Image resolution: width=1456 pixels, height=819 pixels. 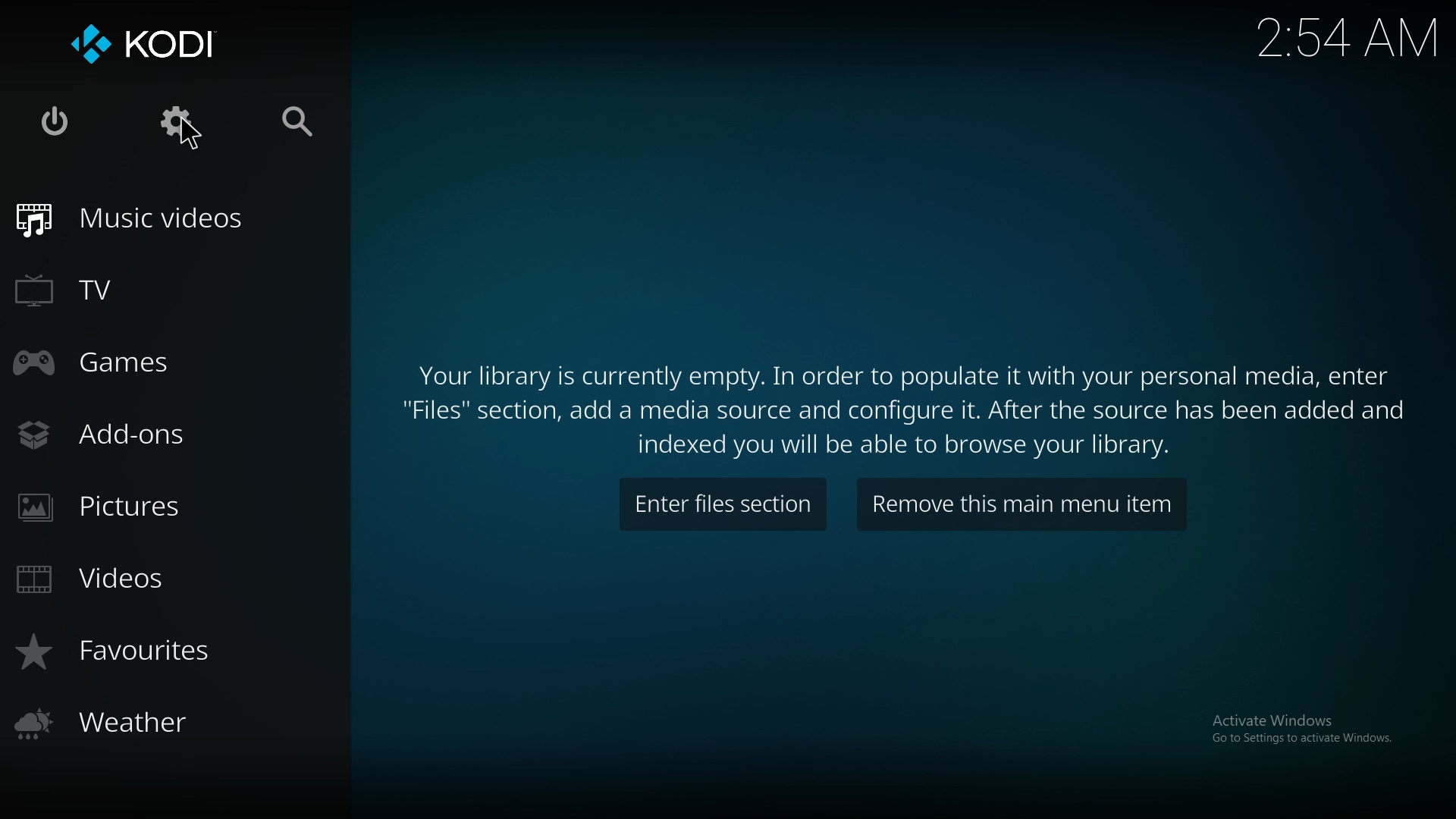 I want to click on add ons, so click(x=121, y=432).